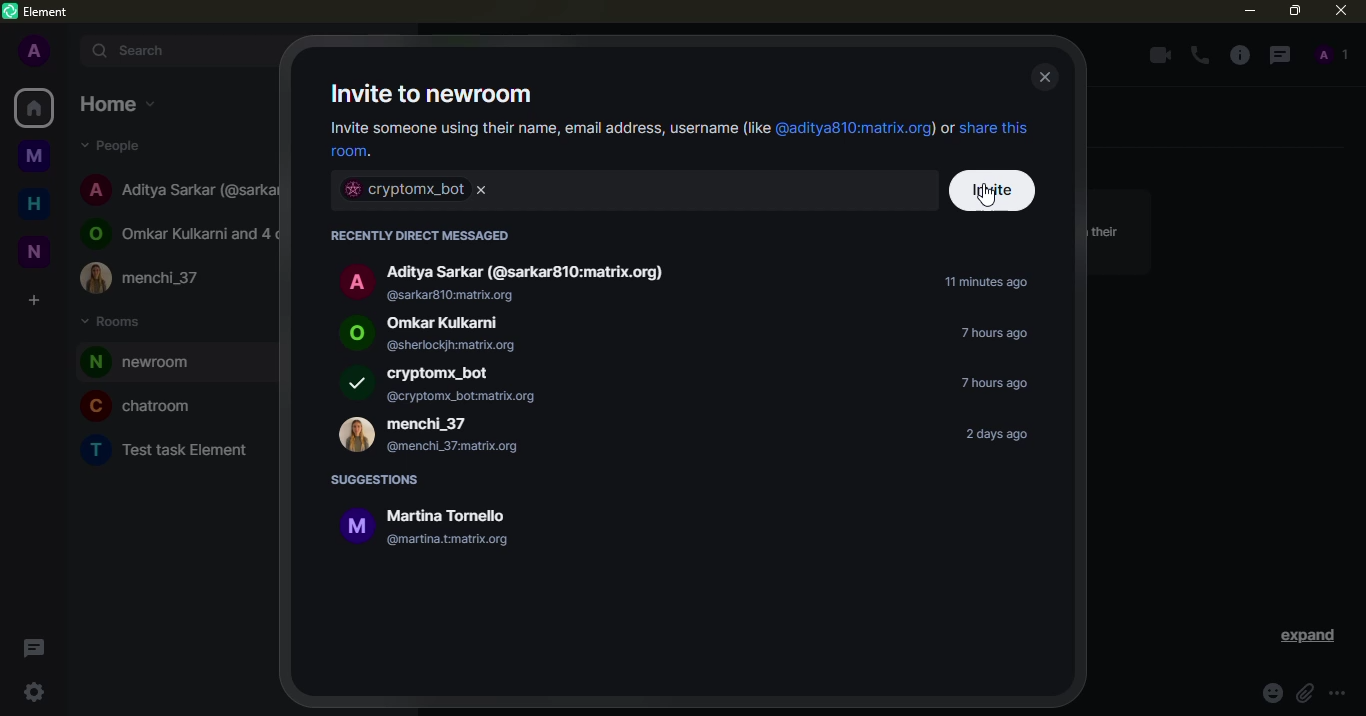 Image resolution: width=1366 pixels, height=716 pixels. I want to click on Omkar Kulkarni
@sherlockjh:matrix.org, so click(428, 334).